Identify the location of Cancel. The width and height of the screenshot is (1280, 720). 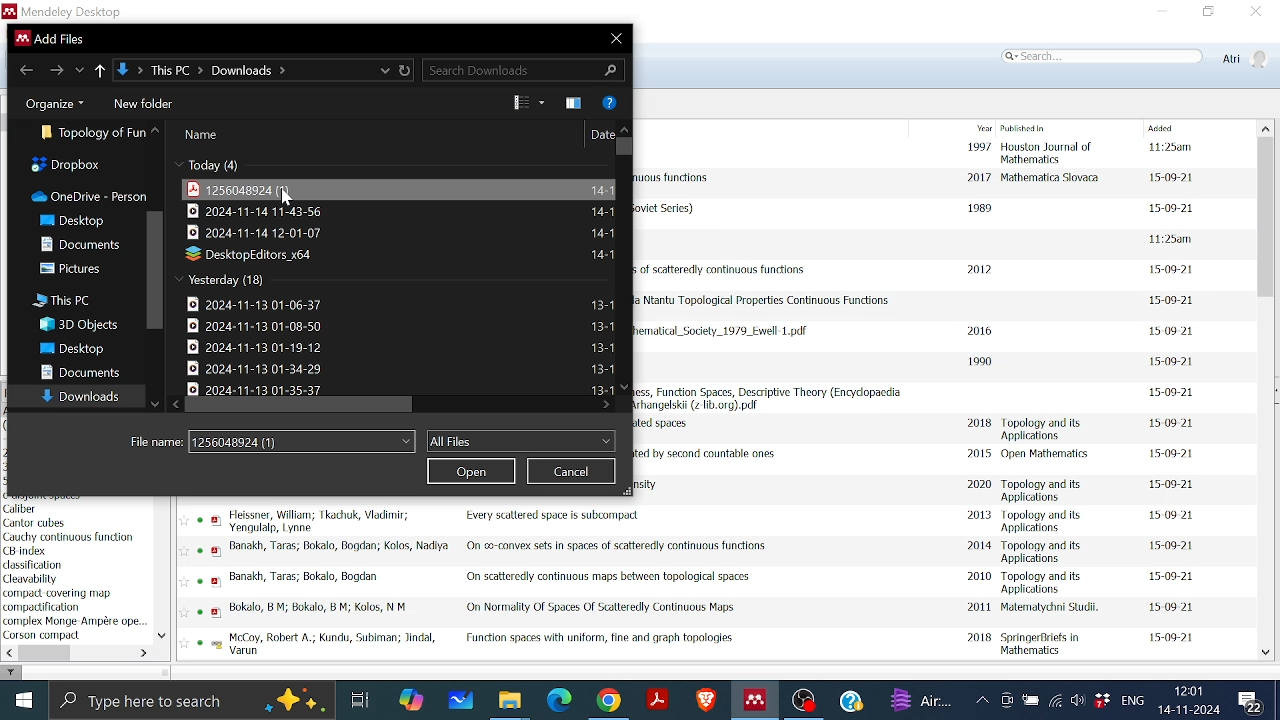
(570, 470).